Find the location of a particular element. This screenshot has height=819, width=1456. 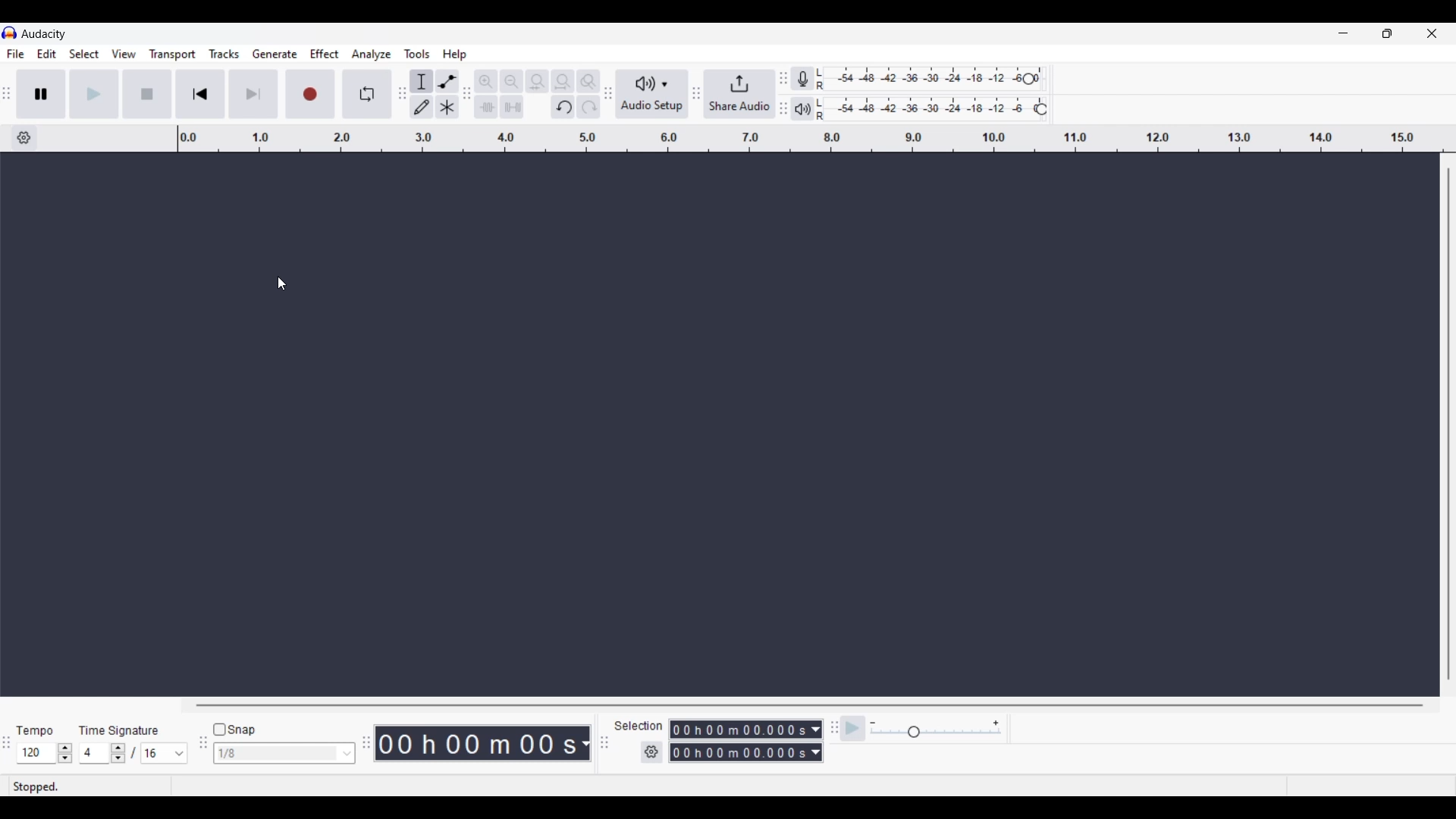

Generate menu is located at coordinates (275, 54).